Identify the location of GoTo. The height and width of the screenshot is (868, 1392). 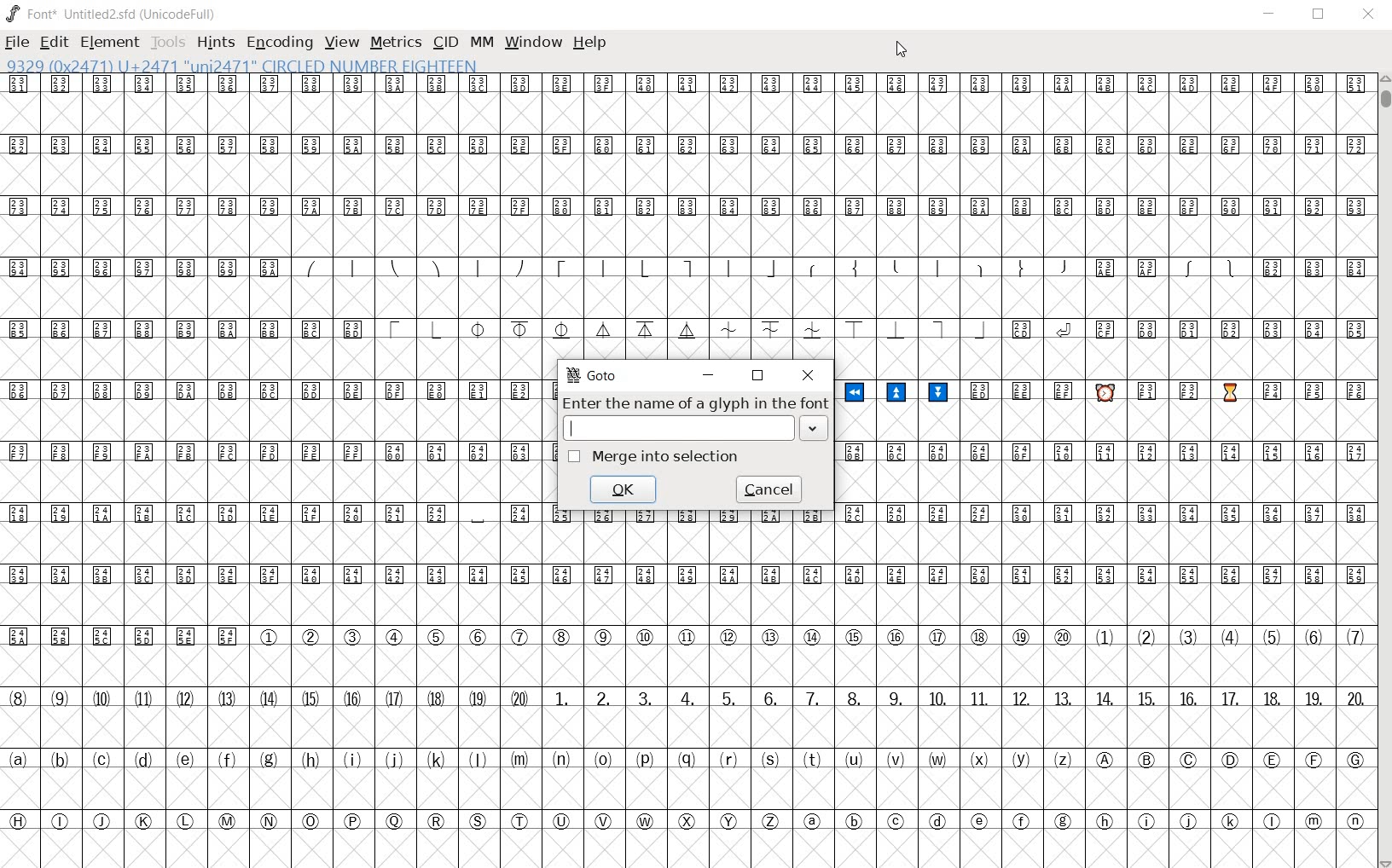
(591, 375).